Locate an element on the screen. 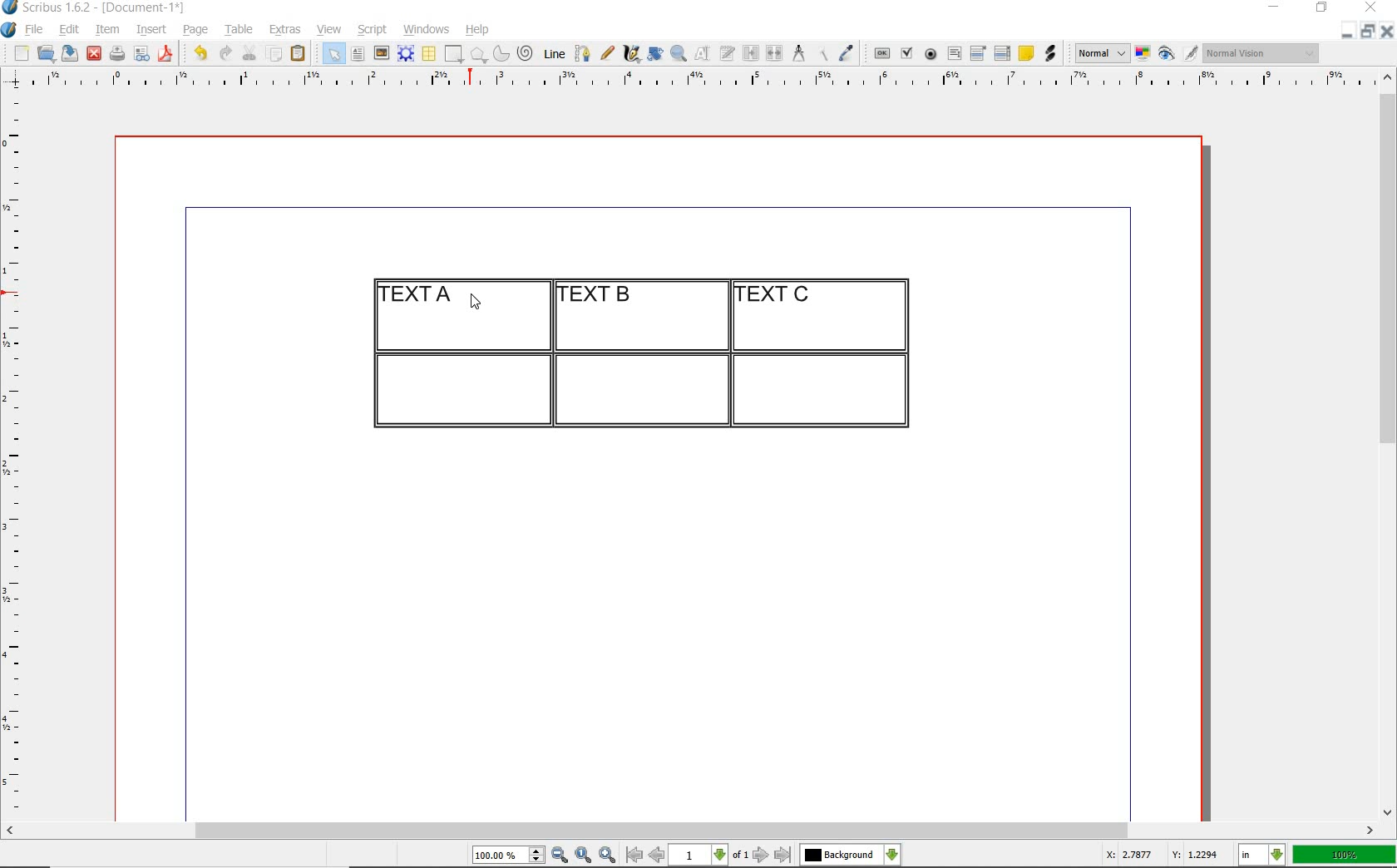  select current zoom level is located at coordinates (509, 855).